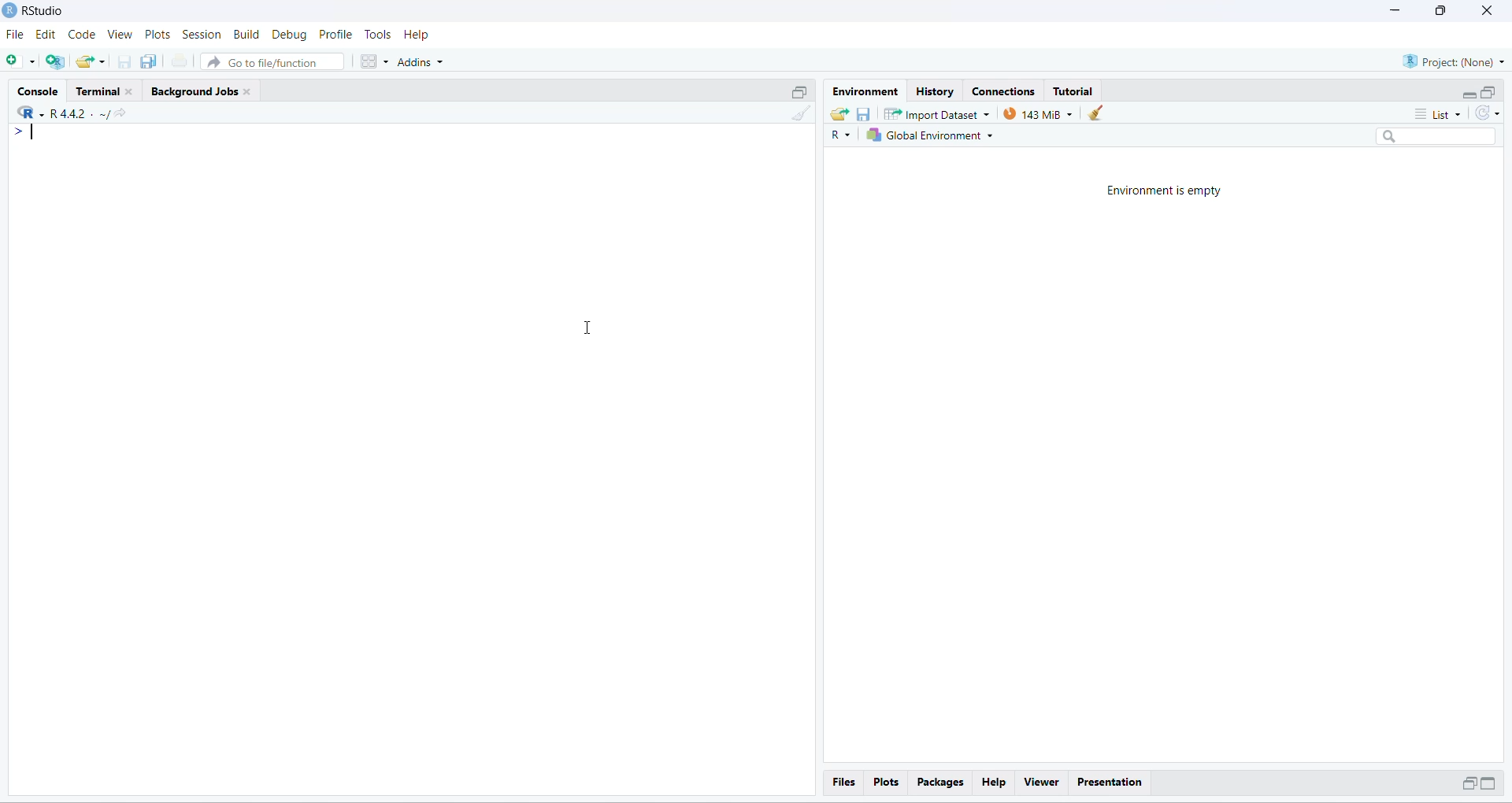 This screenshot has height=803, width=1512. I want to click on packages, so click(942, 783).